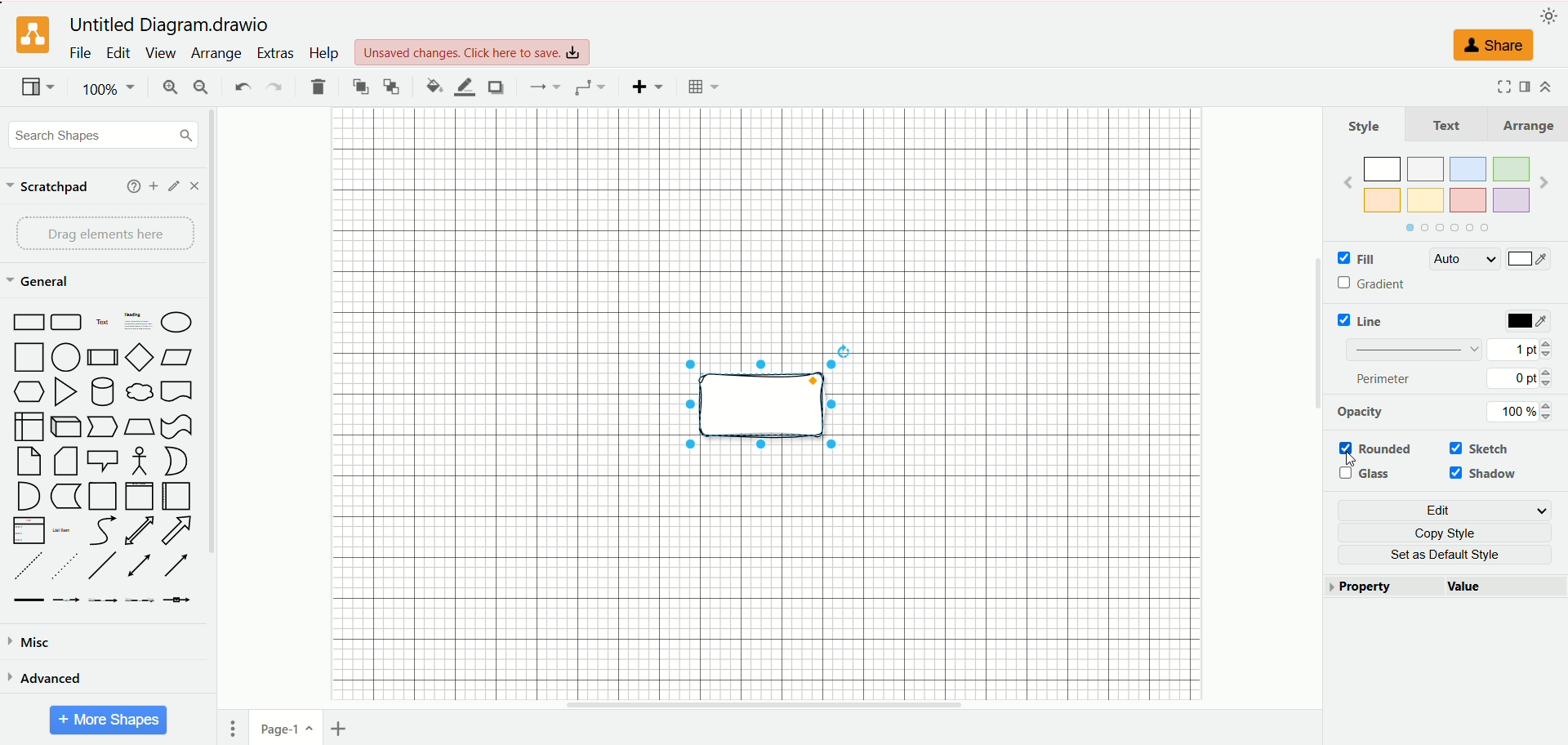  What do you see at coordinates (1365, 320) in the screenshot?
I see `line` at bounding box center [1365, 320].